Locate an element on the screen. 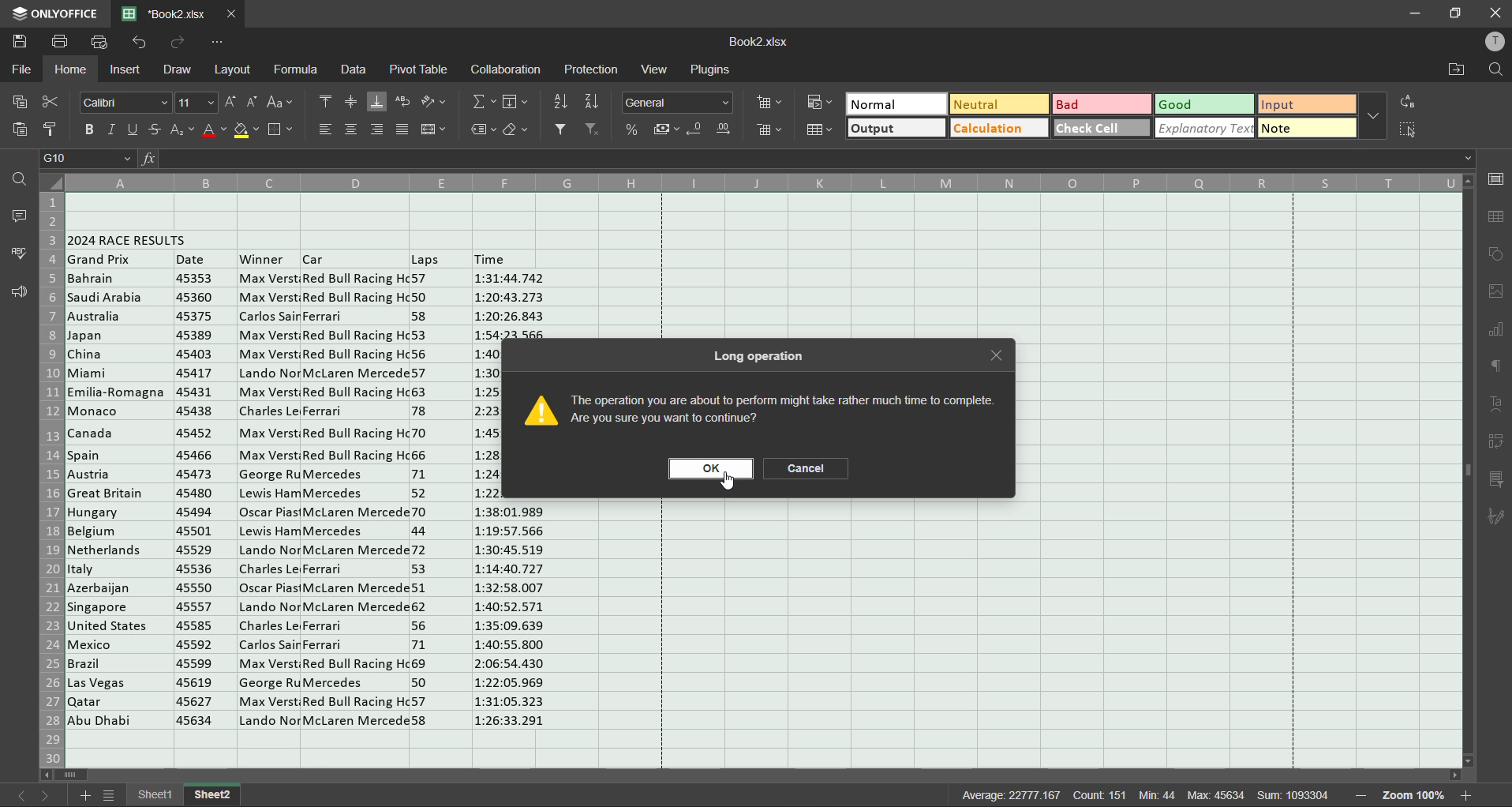 The height and width of the screenshot is (807, 1512). sort descending is located at coordinates (592, 102).